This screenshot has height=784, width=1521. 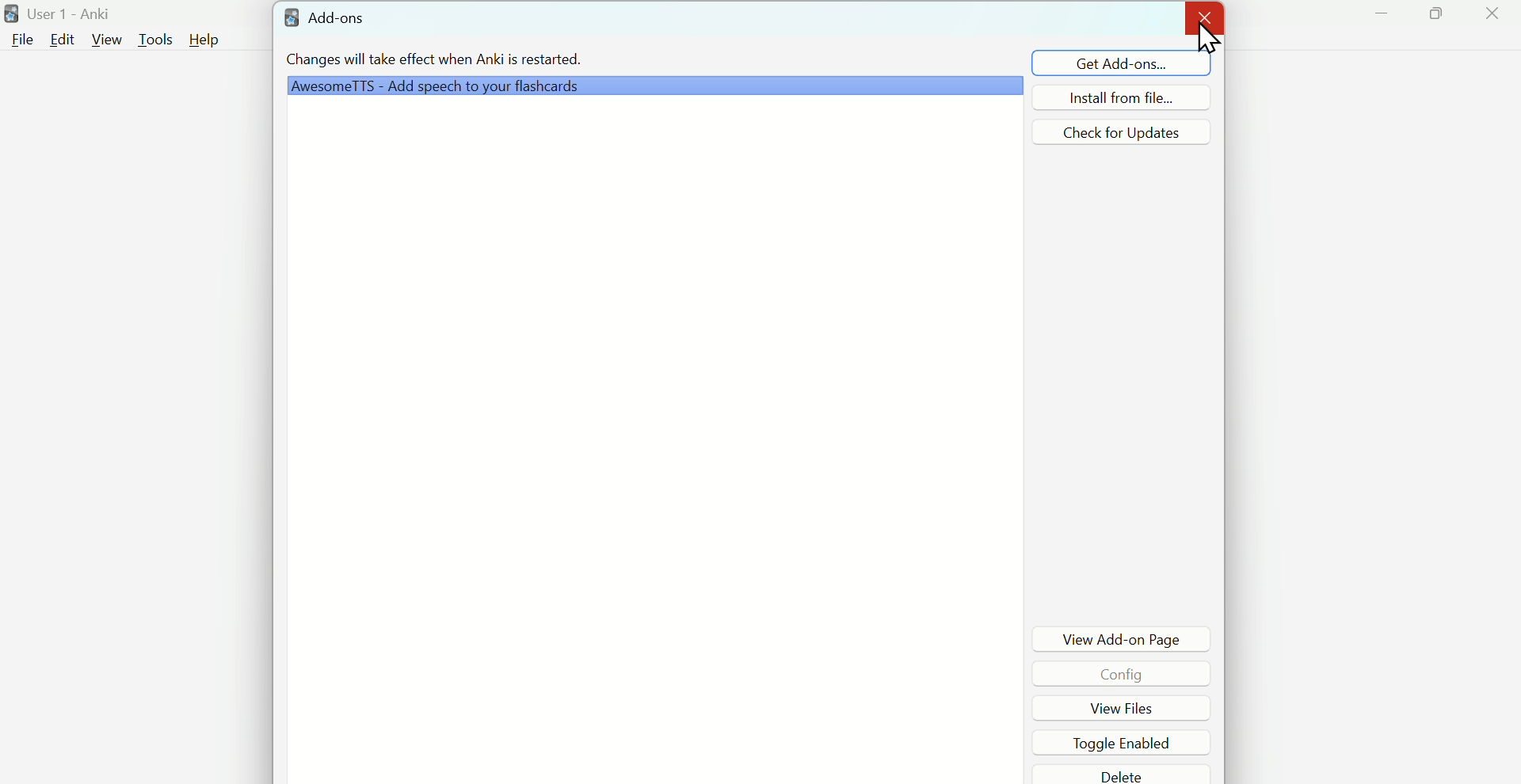 I want to click on Help, so click(x=213, y=37).